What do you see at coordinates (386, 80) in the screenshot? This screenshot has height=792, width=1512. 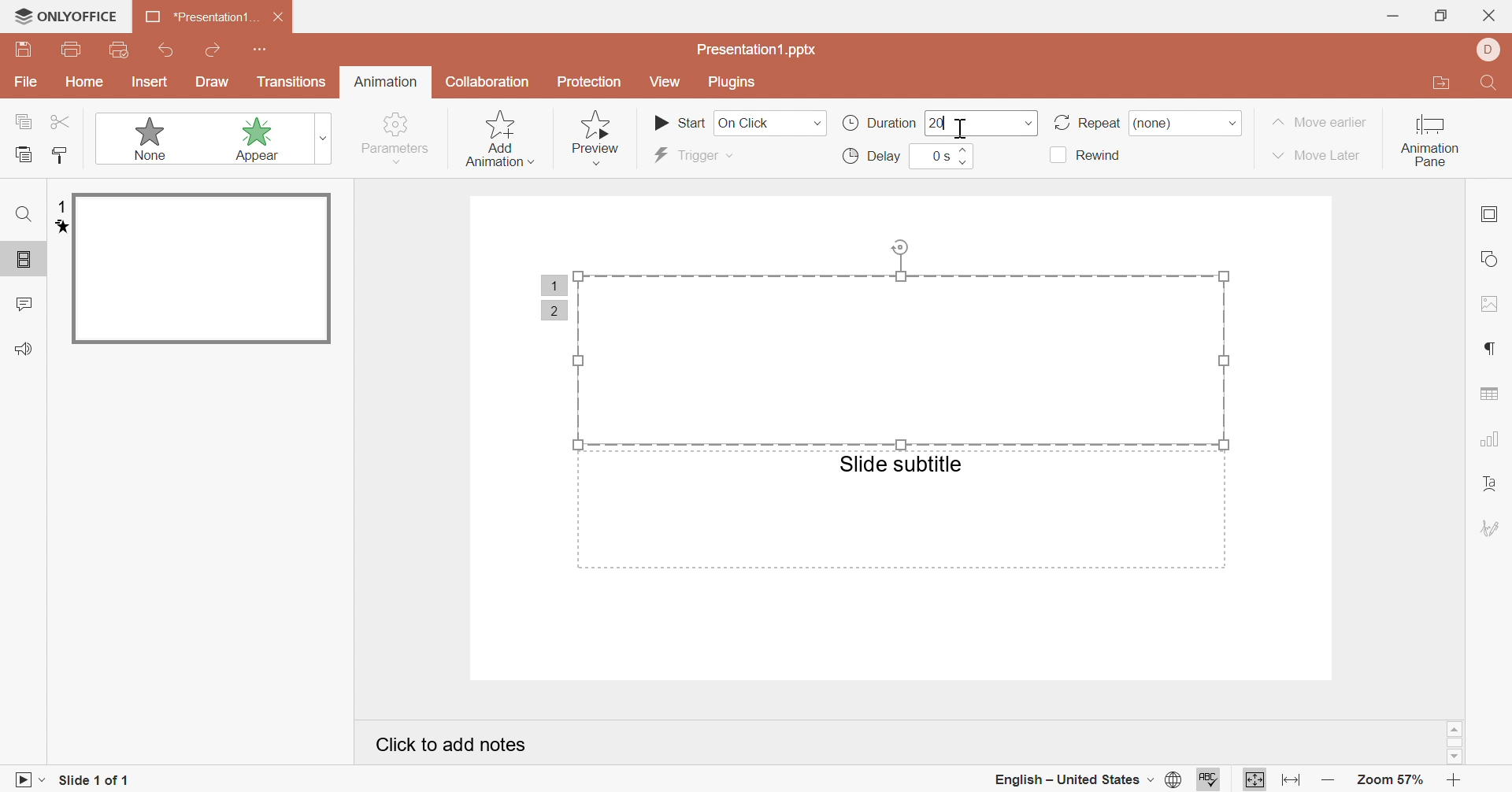 I see `animation` at bounding box center [386, 80].